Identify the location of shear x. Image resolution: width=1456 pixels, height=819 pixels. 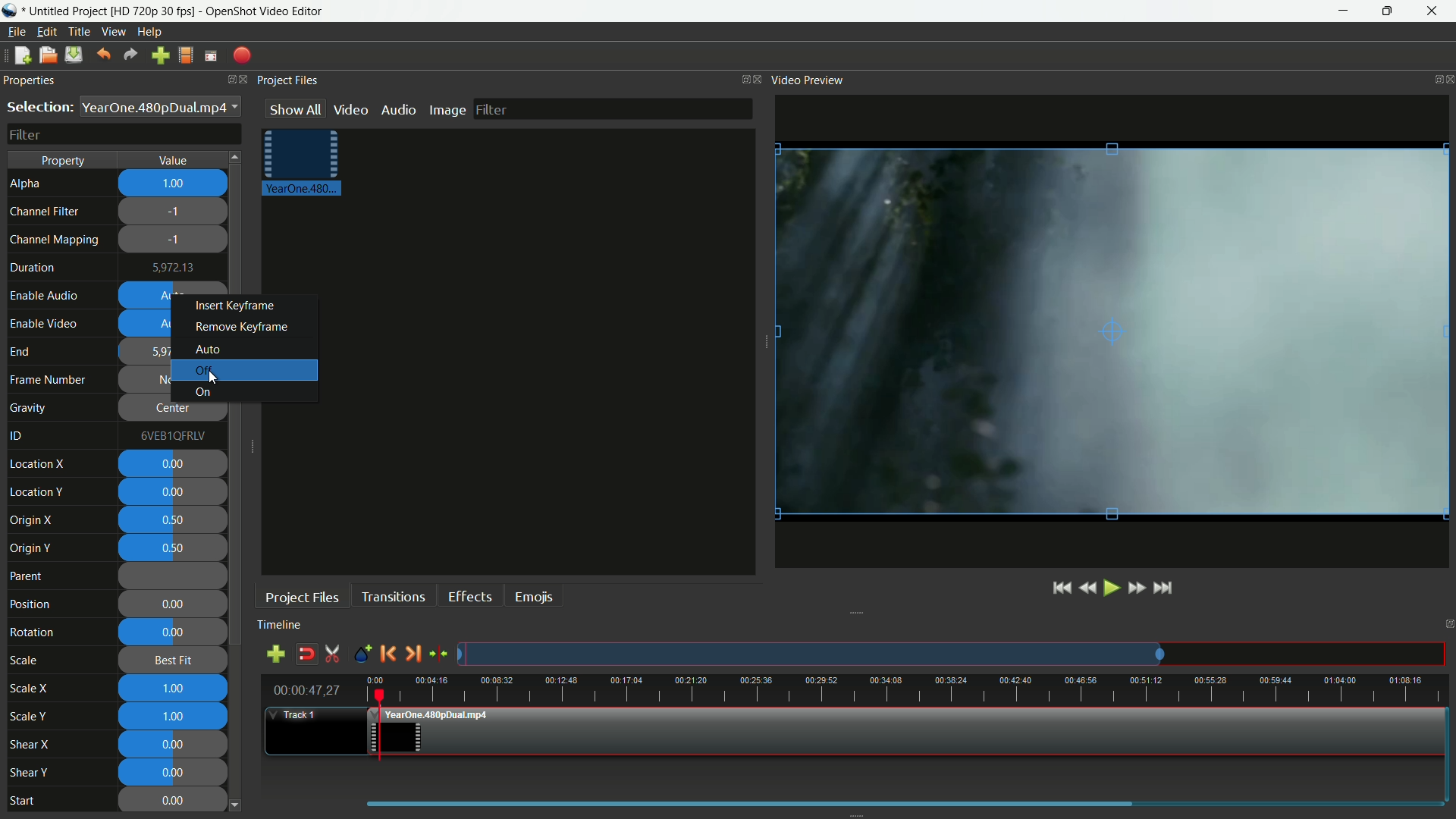
(31, 745).